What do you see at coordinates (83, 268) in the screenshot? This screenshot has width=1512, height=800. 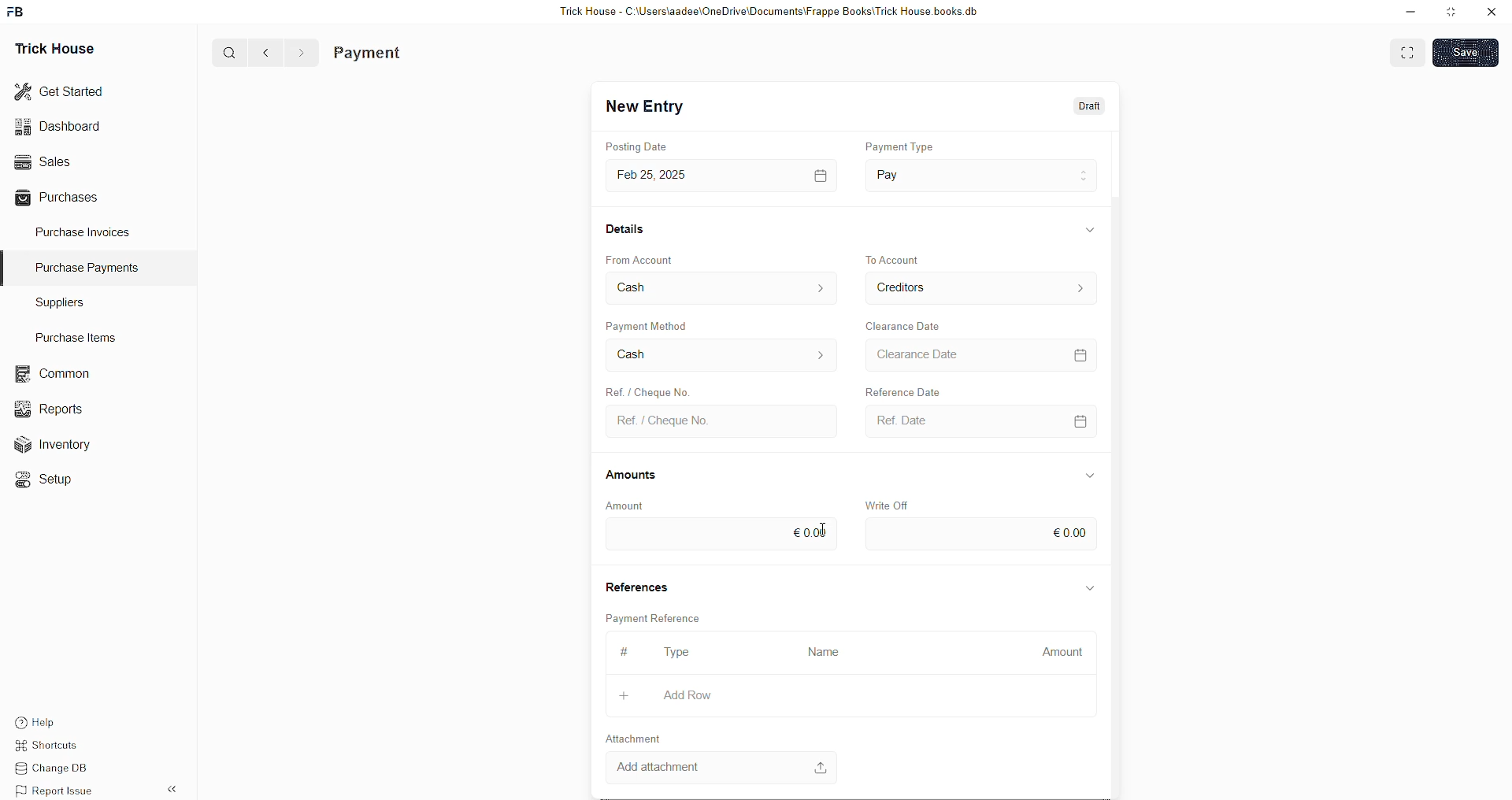 I see `Purchase PaymenTS` at bounding box center [83, 268].